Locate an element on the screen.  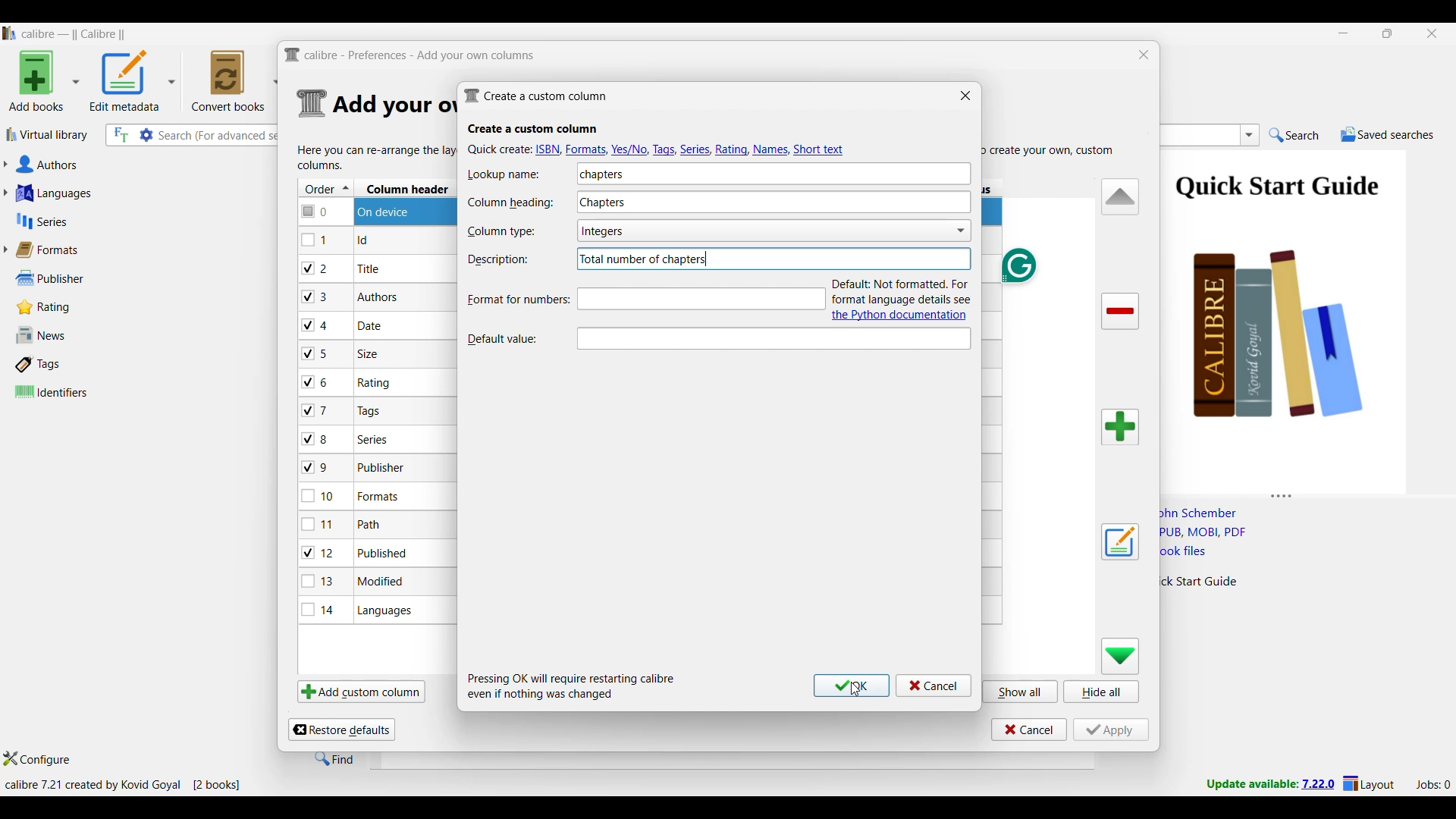
Close window is located at coordinates (1144, 55).